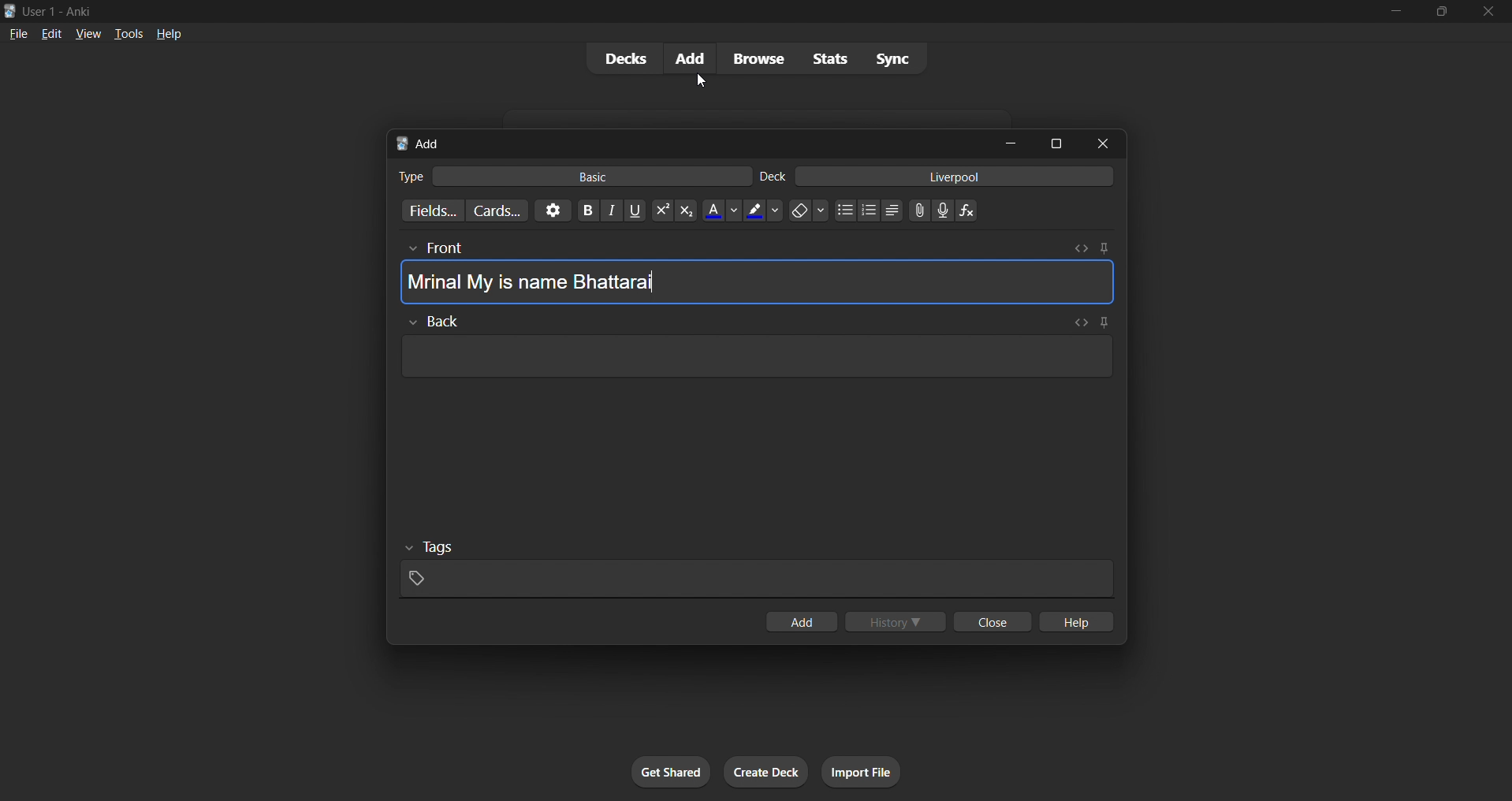 This screenshot has height=801, width=1512. What do you see at coordinates (605, 210) in the screenshot?
I see `italic` at bounding box center [605, 210].